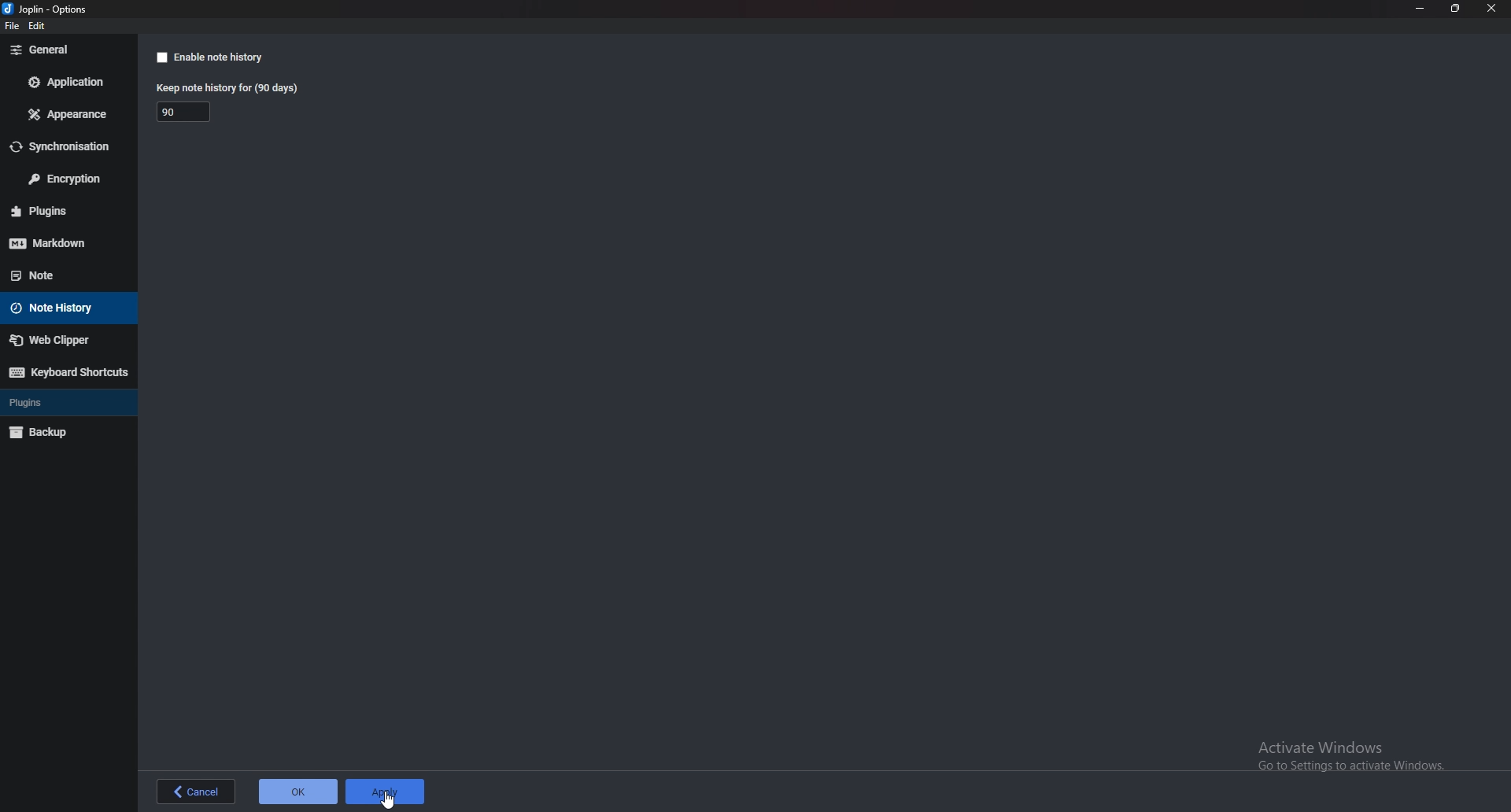  Describe the element at coordinates (1489, 9) in the screenshot. I see `close` at that location.